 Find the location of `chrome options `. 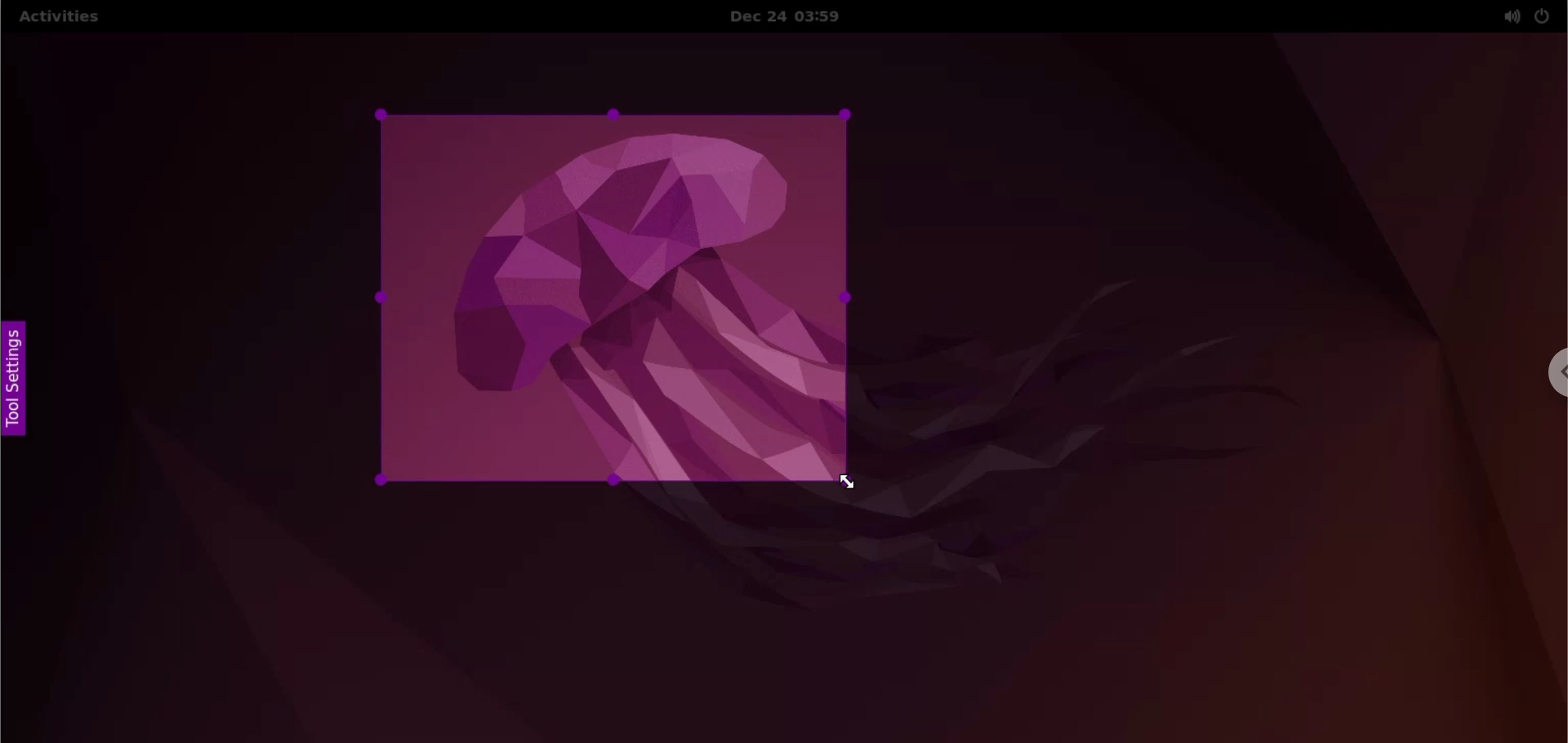

chrome options  is located at coordinates (1552, 376).